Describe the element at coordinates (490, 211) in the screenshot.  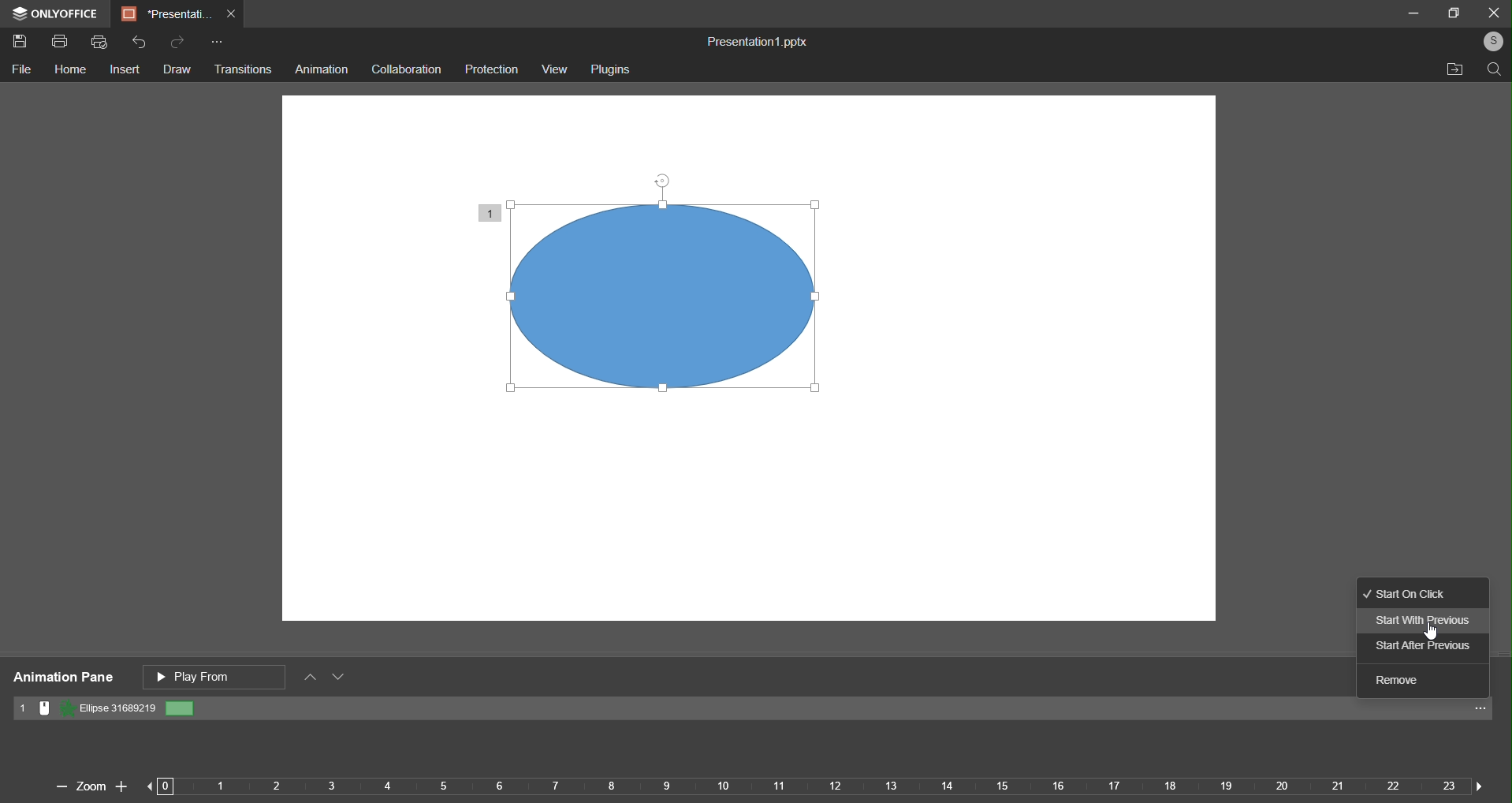
I see `number of animation` at that location.